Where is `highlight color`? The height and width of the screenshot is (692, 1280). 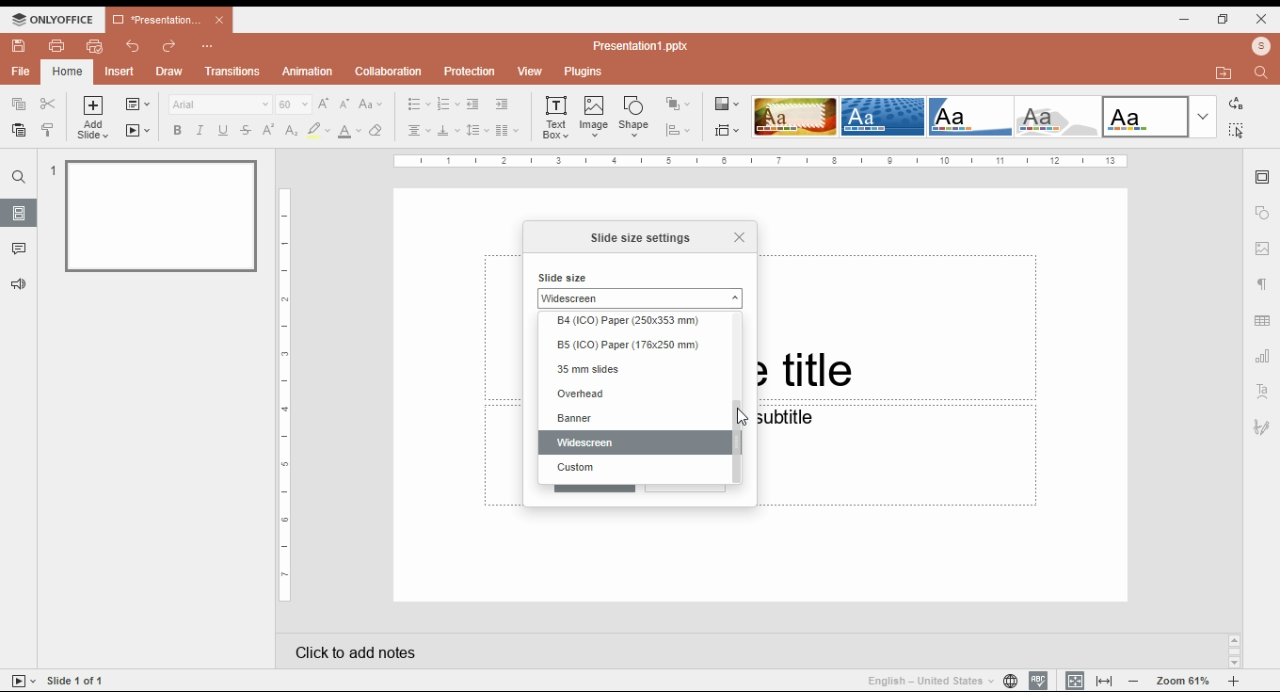
highlight color is located at coordinates (318, 130).